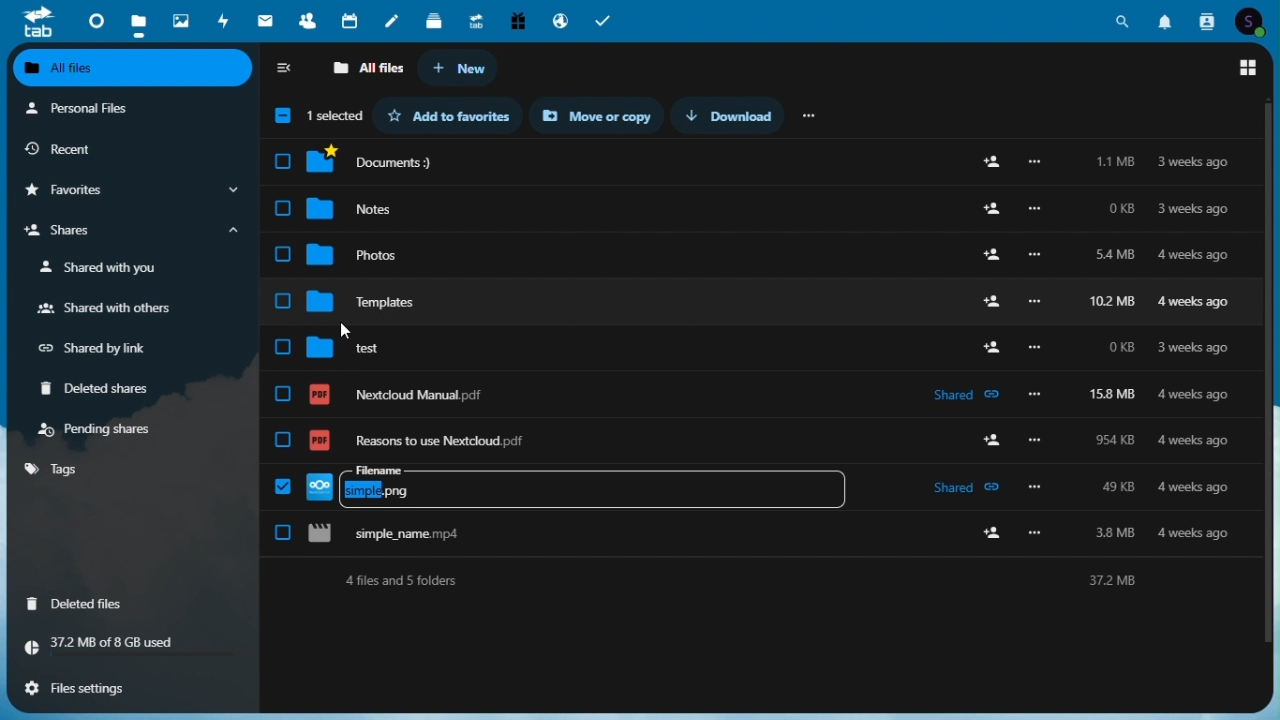  What do you see at coordinates (134, 70) in the screenshot?
I see `all files` at bounding box center [134, 70].